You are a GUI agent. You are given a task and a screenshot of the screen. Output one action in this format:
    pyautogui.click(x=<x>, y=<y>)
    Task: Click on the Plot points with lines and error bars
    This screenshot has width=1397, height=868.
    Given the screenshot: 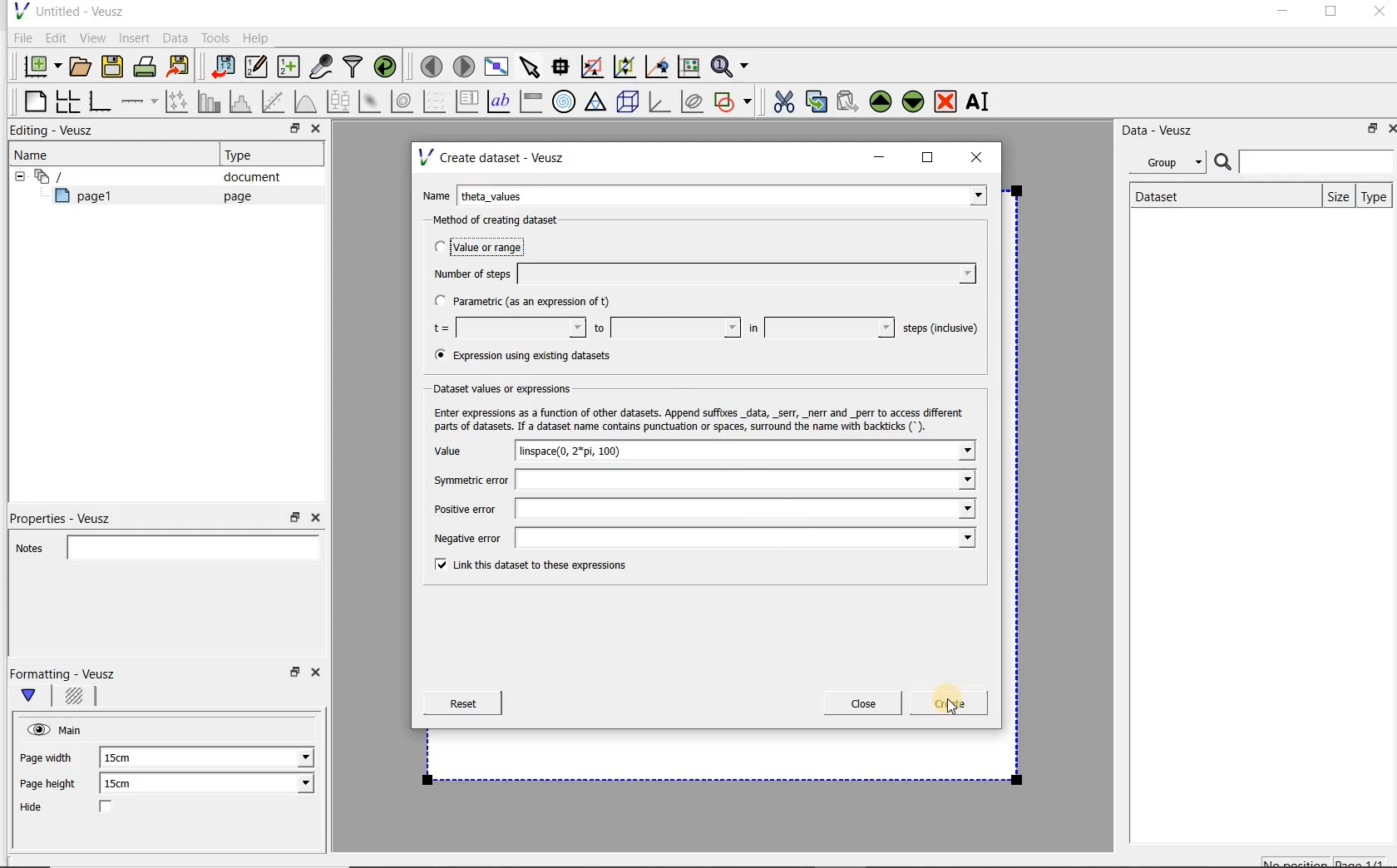 What is the action you would take?
    pyautogui.click(x=178, y=101)
    